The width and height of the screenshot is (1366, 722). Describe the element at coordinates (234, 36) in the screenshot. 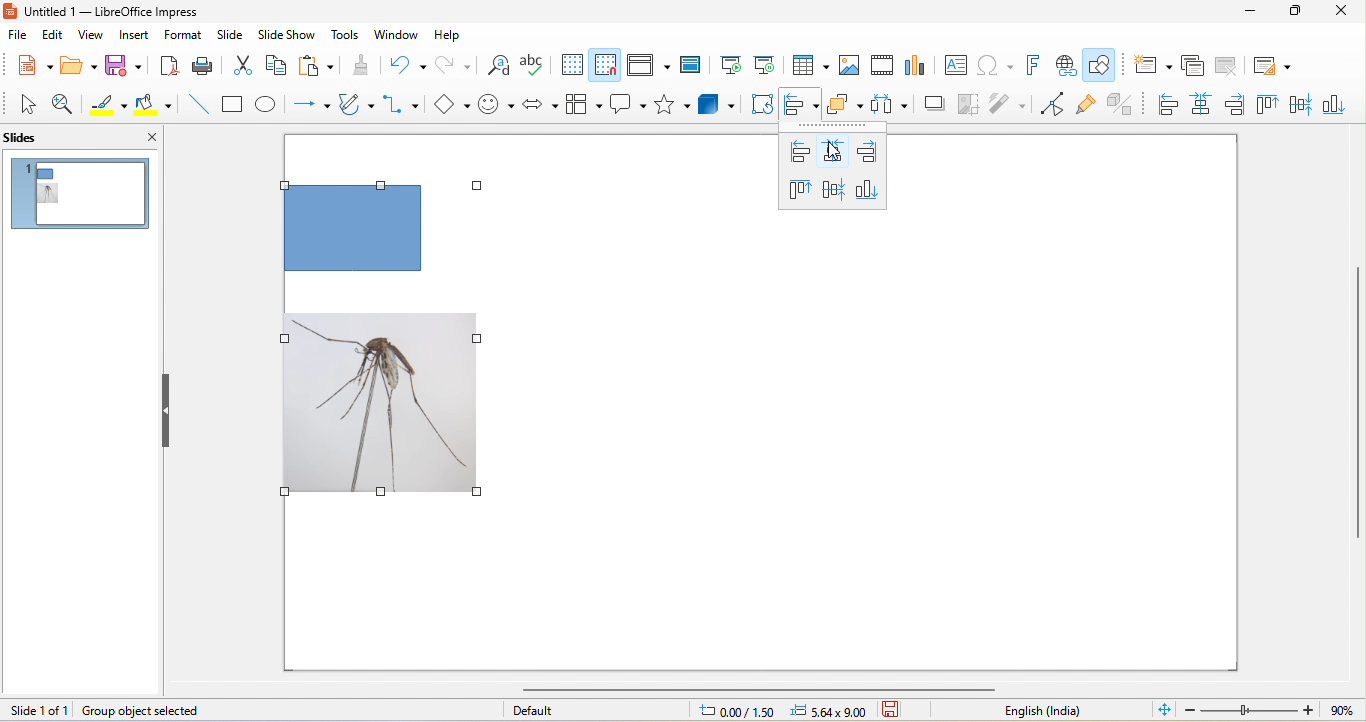

I see `slide` at that location.